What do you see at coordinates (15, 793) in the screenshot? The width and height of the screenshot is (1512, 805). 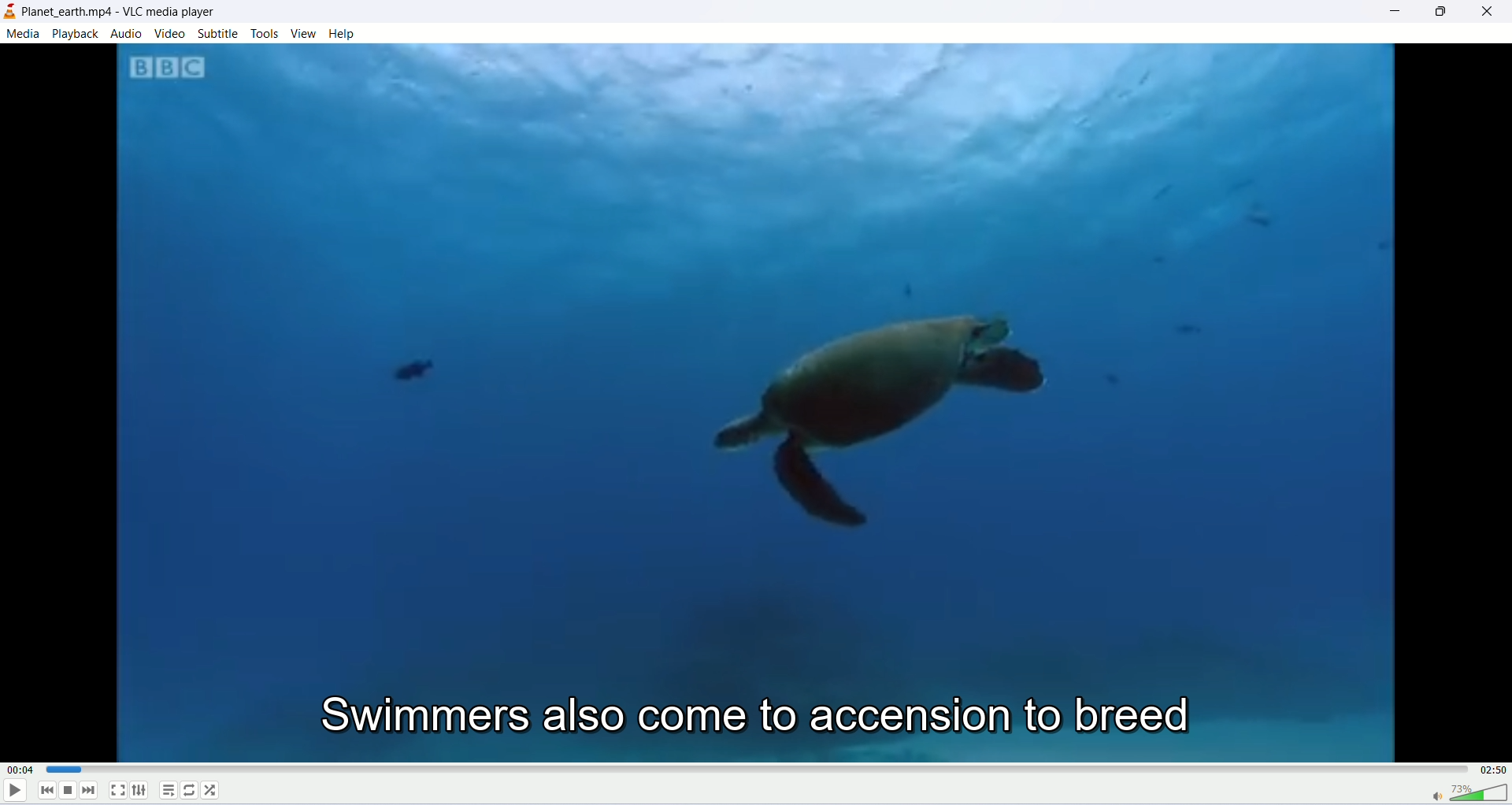 I see `play/pause` at bounding box center [15, 793].